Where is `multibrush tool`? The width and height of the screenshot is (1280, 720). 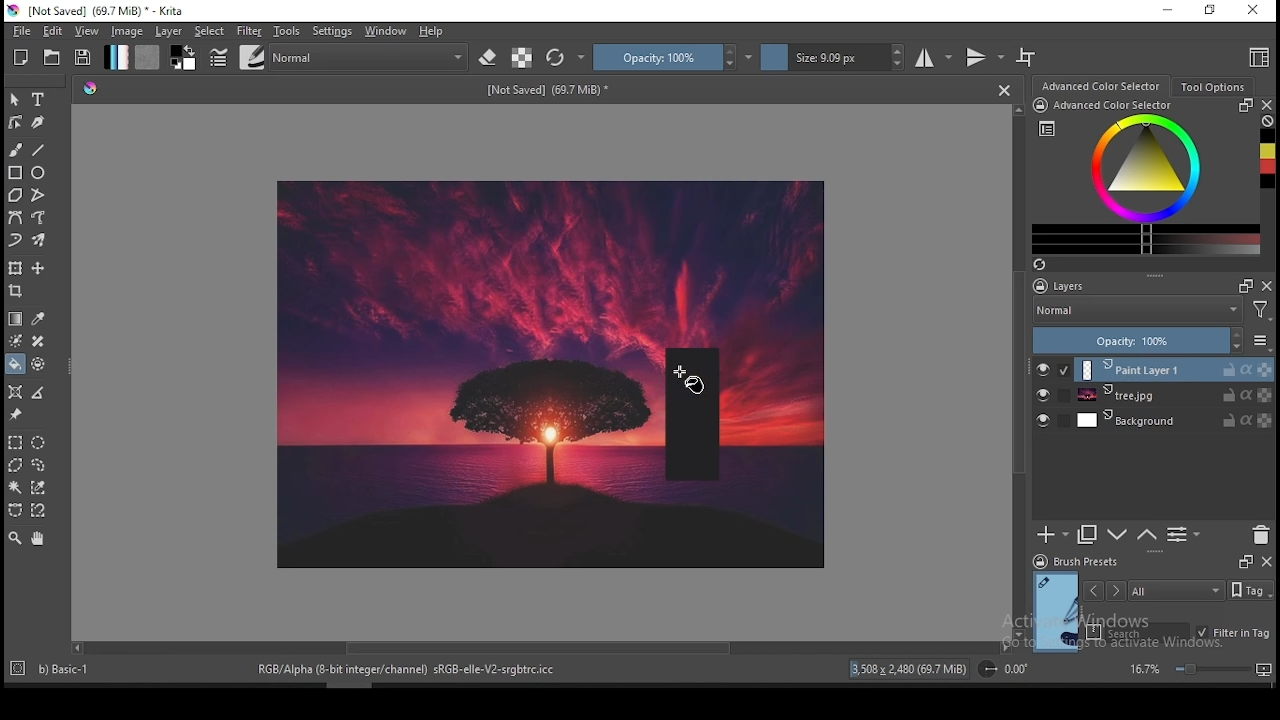 multibrush tool is located at coordinates (40, 240).